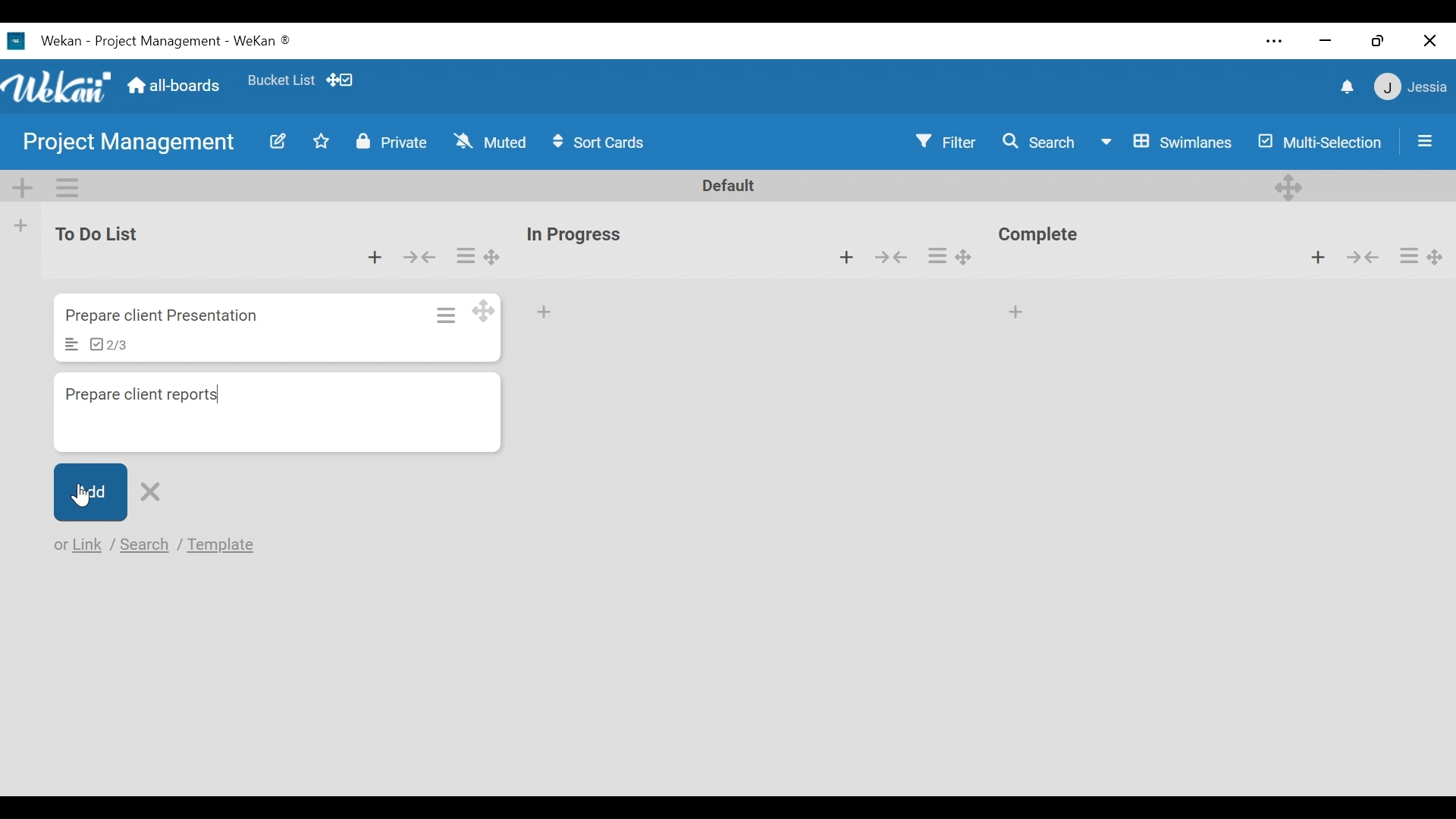 Image resolution: width=1456 pixels, height=819 pixels. What do you see at coordinates (490, 257) in the screenshot?
I see `Desktop drag handles` at bounding box center [490, 257].